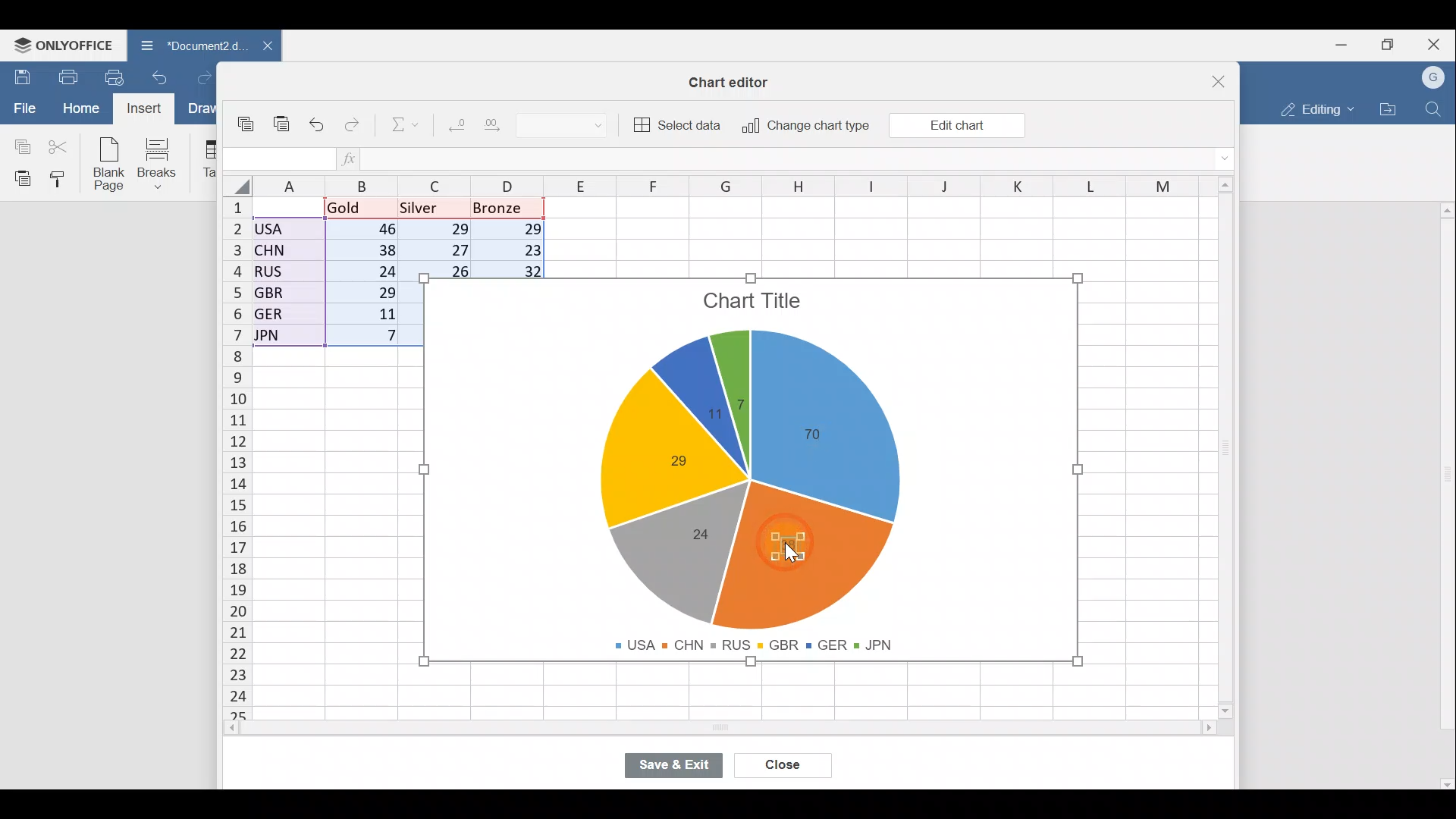  Describe the element at coordinates (1225, 80) in the screenshot. I see `Close` at that location.